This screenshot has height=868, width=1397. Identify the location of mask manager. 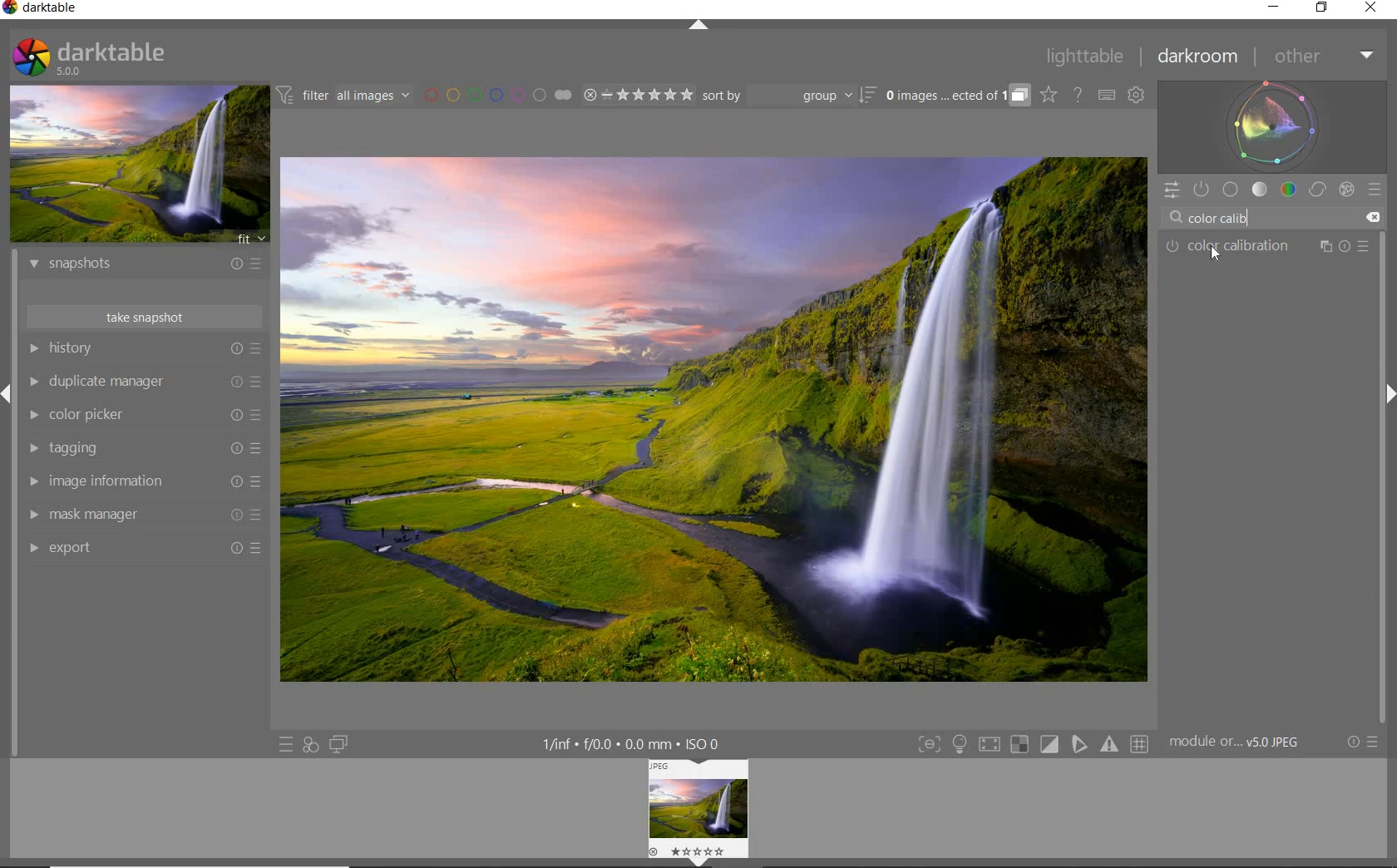
(146, 515).